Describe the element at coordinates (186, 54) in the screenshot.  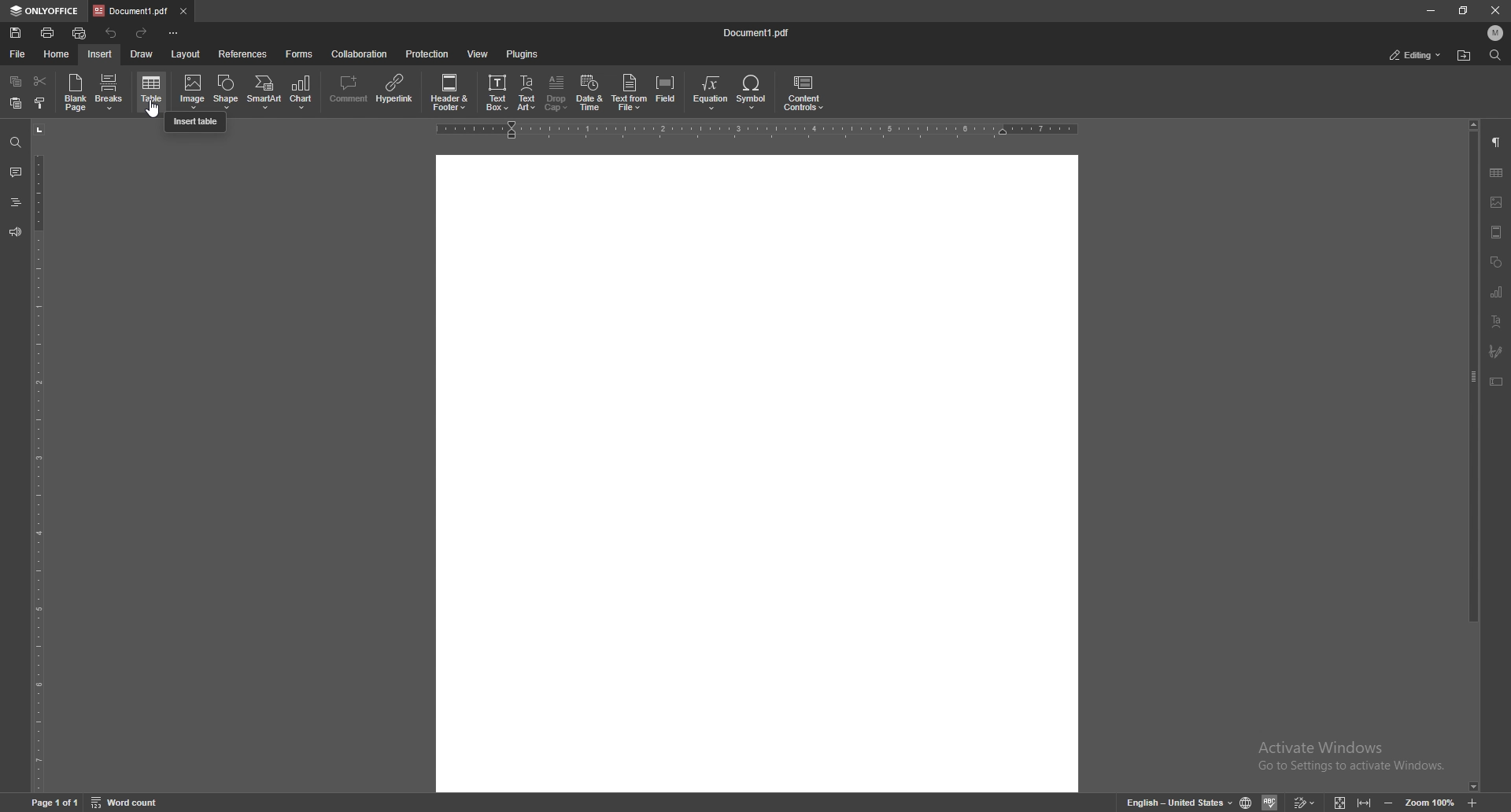
I see `layout` at that location.